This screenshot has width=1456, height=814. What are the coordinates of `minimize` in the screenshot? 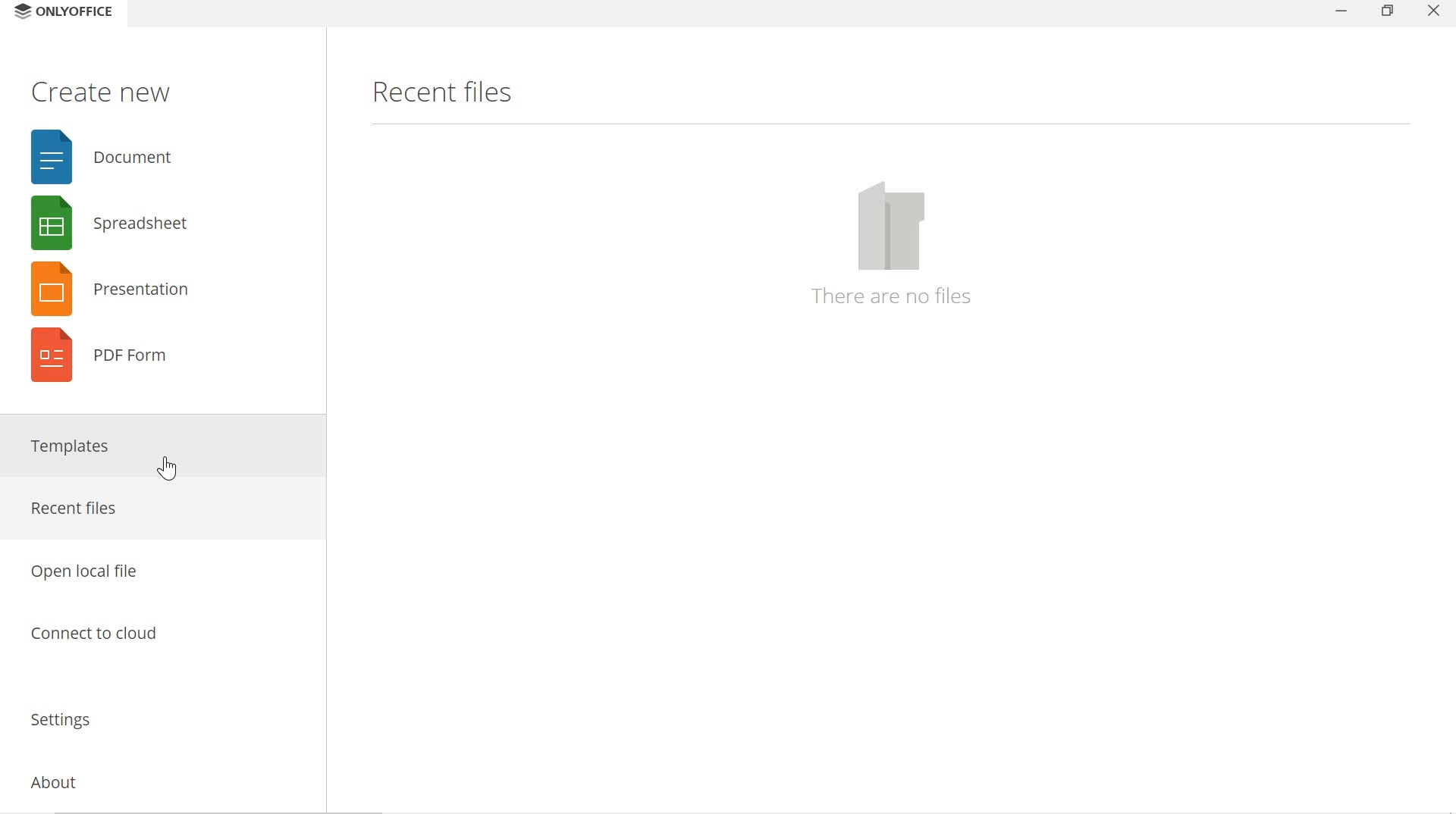 It's located at (1334, 15).